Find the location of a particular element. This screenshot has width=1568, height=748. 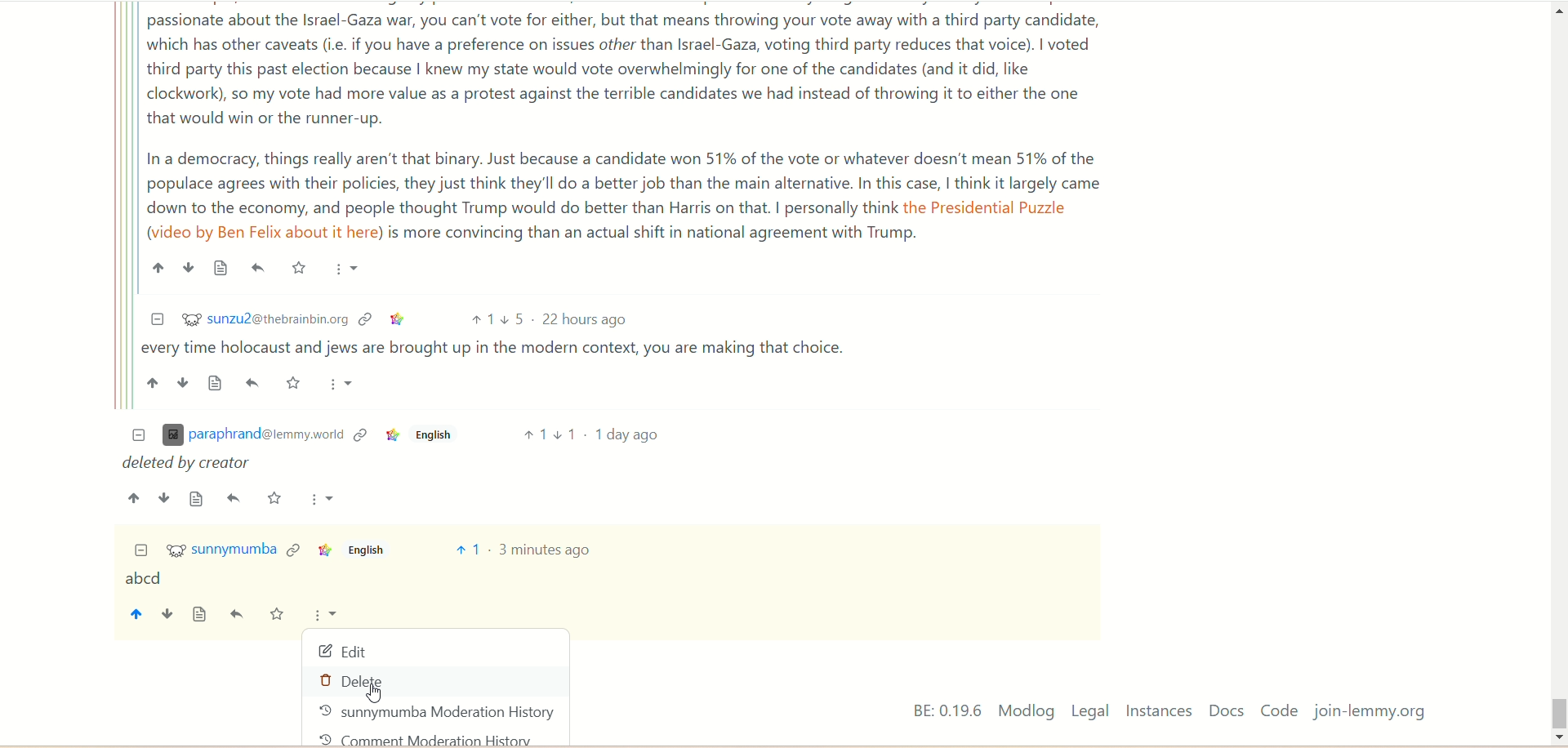

Collapse is located at coordinates (139, 436).